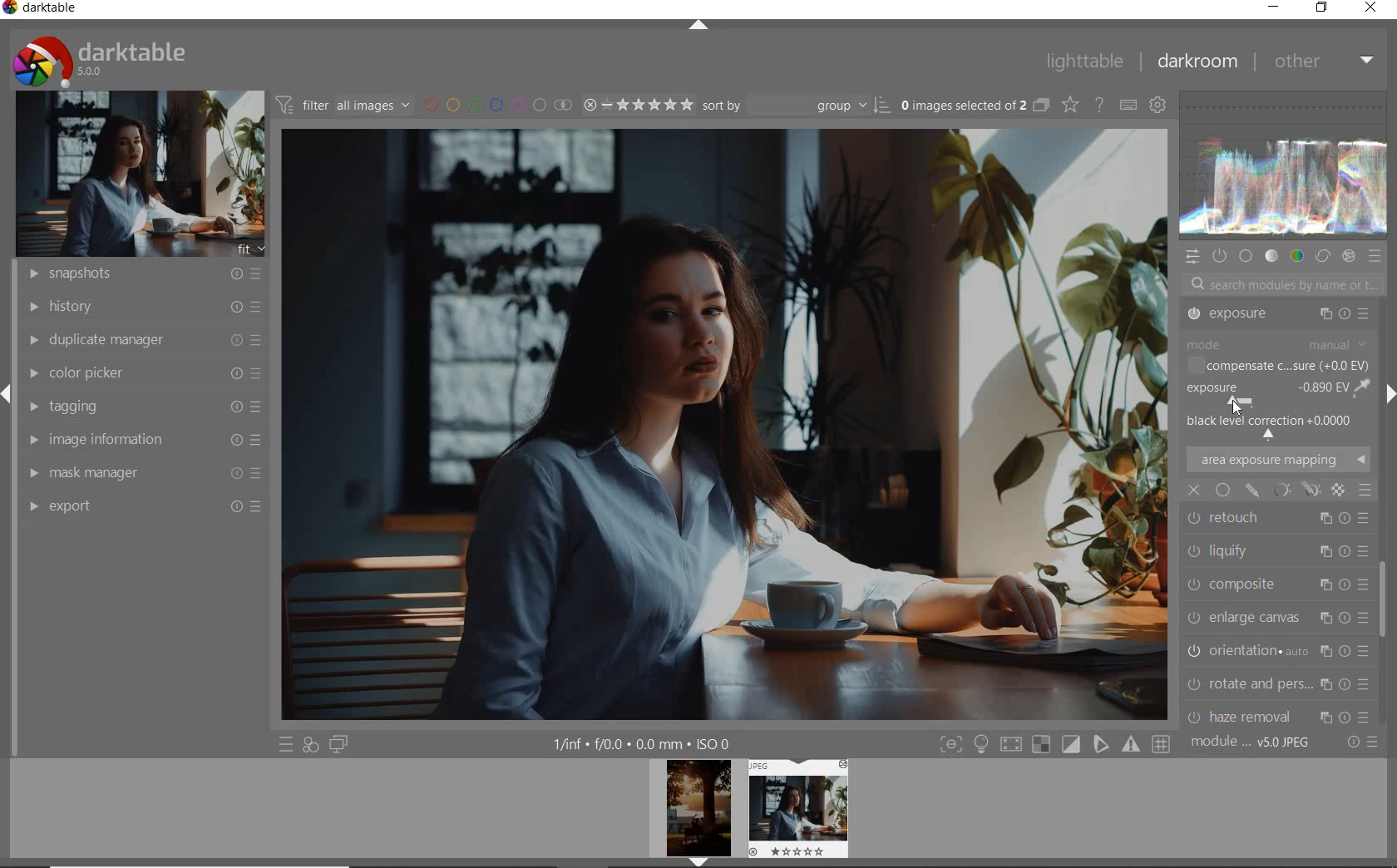 The image size is (1397, 868). I want to click on CORRECT, so click(1322, 254).